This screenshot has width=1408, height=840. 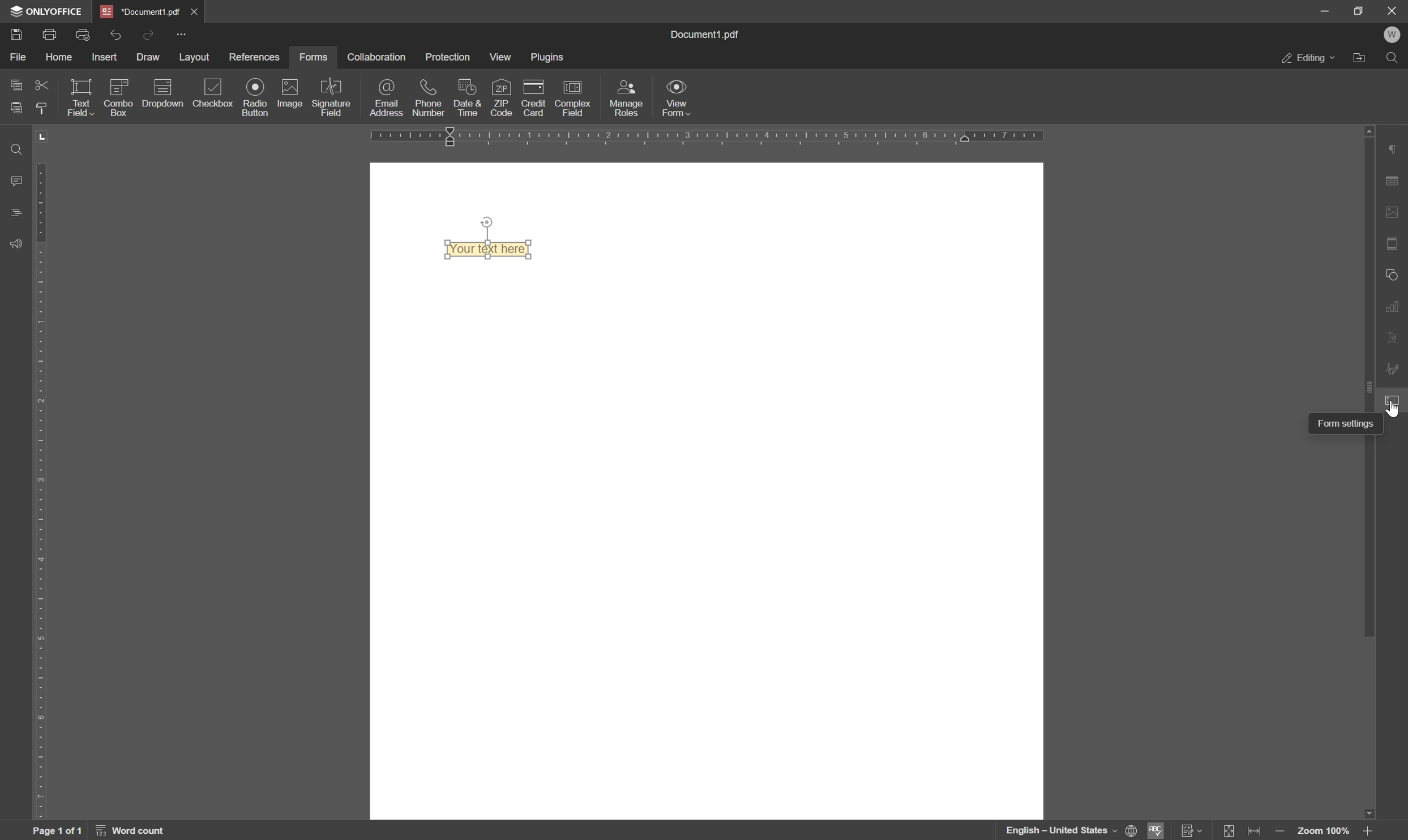 I want to click on text art settings, so click(x=1394, y=333).